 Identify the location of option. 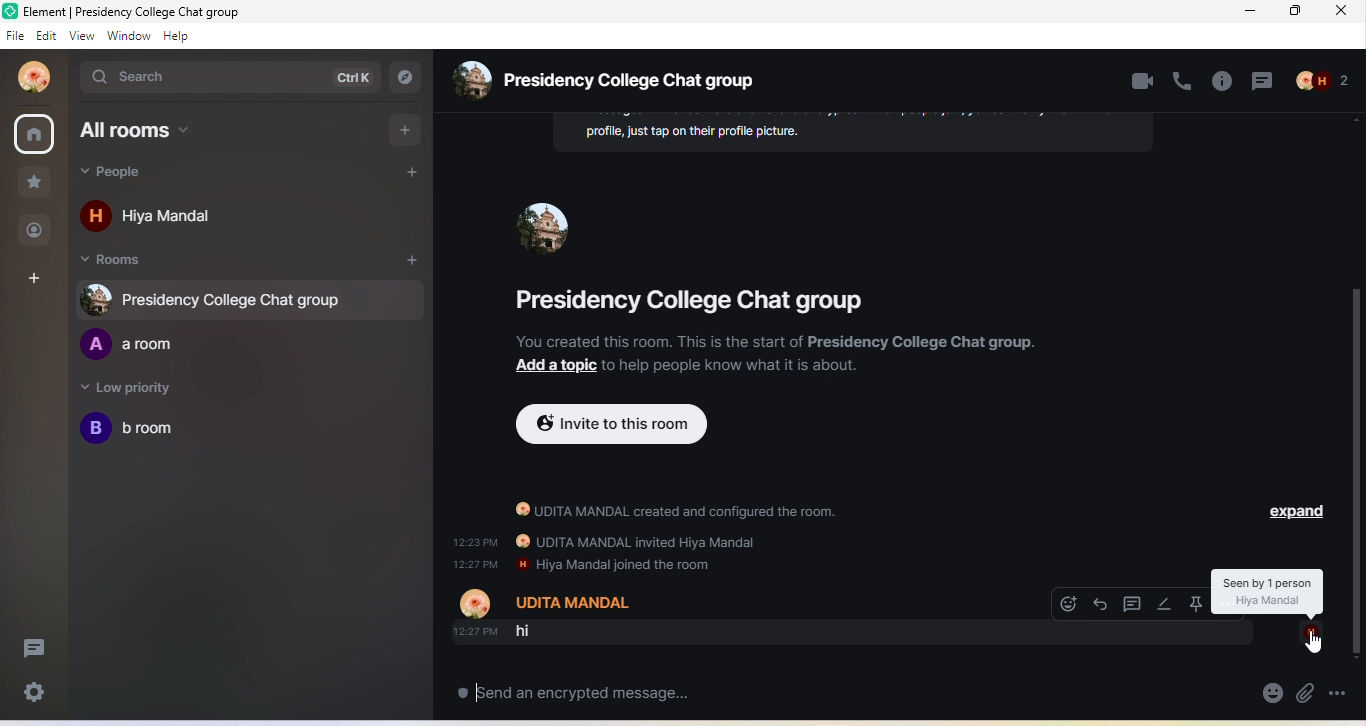
(1347, 692).